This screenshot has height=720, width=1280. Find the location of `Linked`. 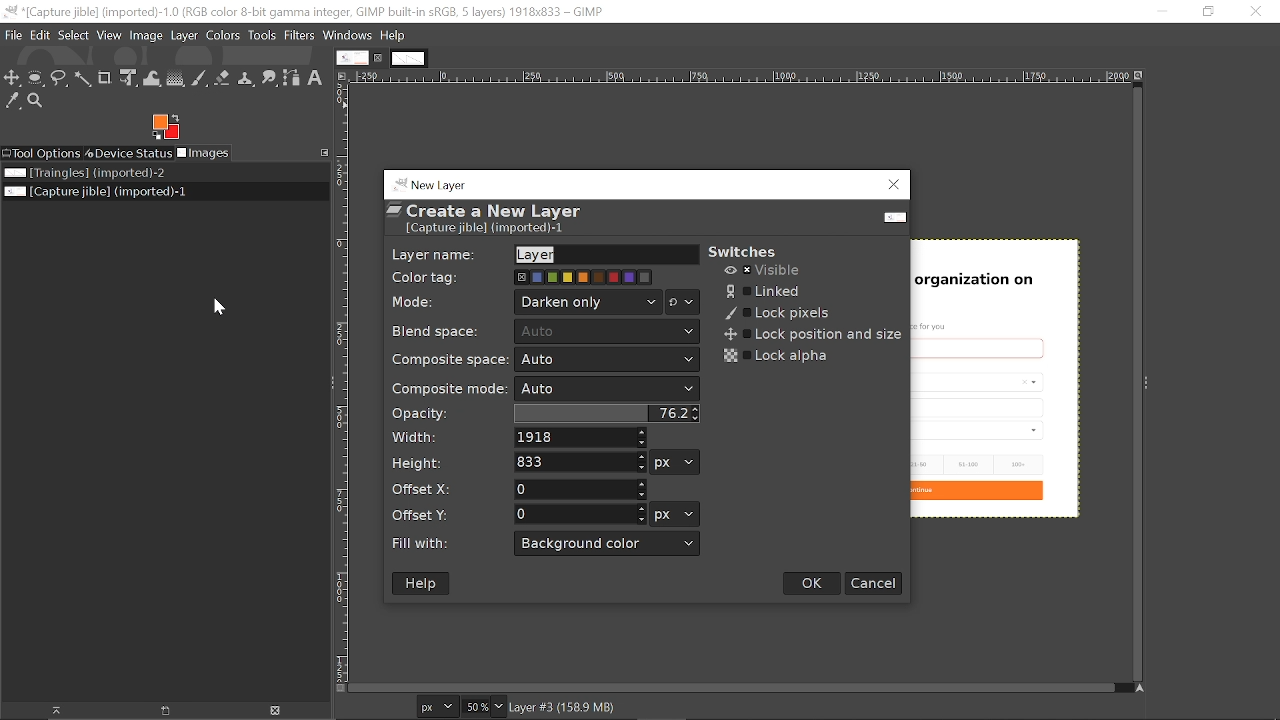

Linked is located at coordinates (770, 291).